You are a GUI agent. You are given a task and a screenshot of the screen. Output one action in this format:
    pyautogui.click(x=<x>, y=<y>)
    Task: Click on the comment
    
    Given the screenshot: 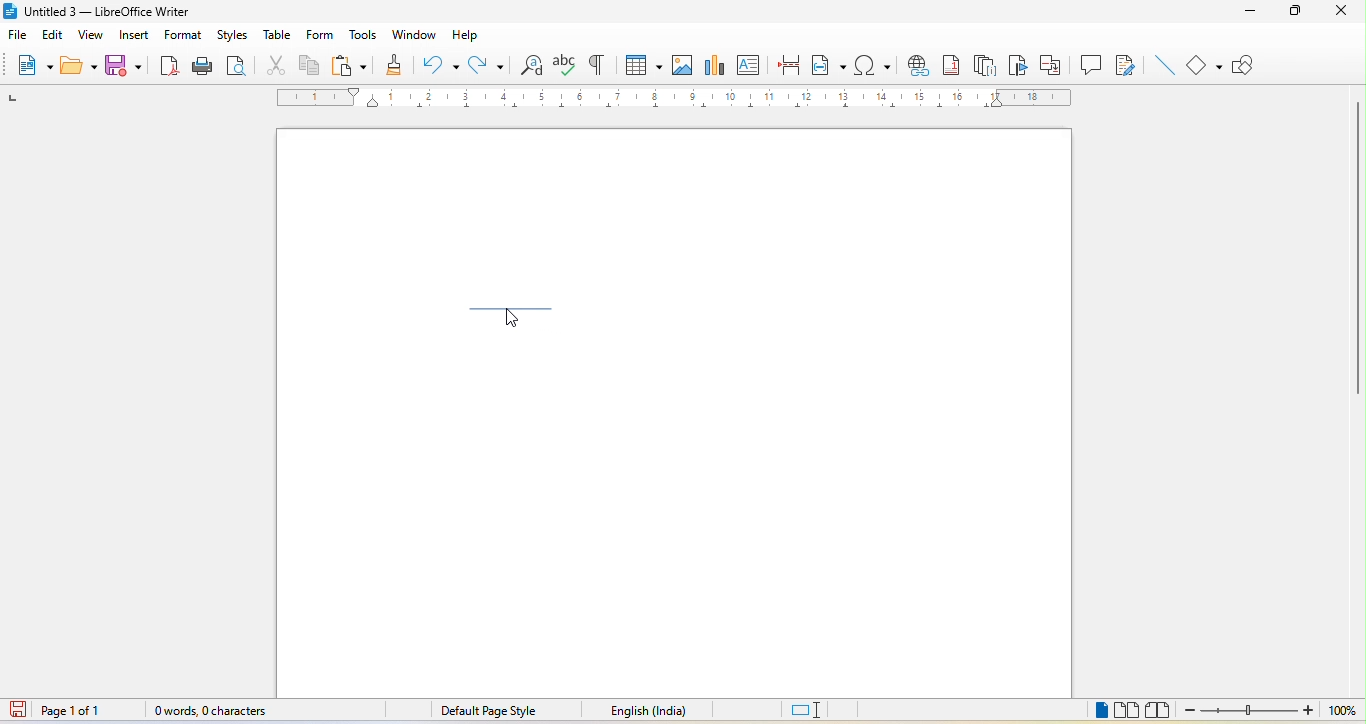 What is the action you would take?
    pyautogui.click(x=1092, y=63)
    